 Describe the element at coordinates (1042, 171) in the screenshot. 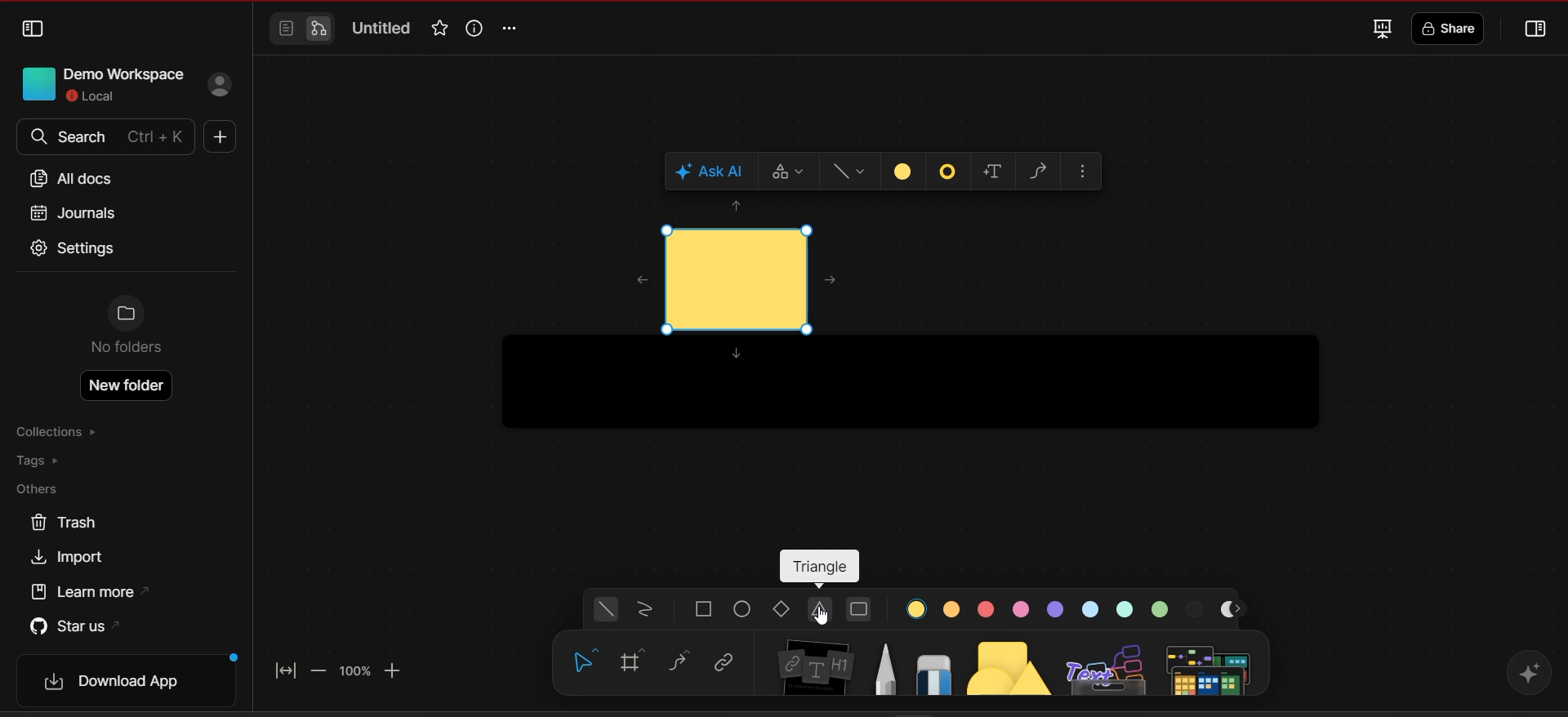

I see `draw connector` at that location.